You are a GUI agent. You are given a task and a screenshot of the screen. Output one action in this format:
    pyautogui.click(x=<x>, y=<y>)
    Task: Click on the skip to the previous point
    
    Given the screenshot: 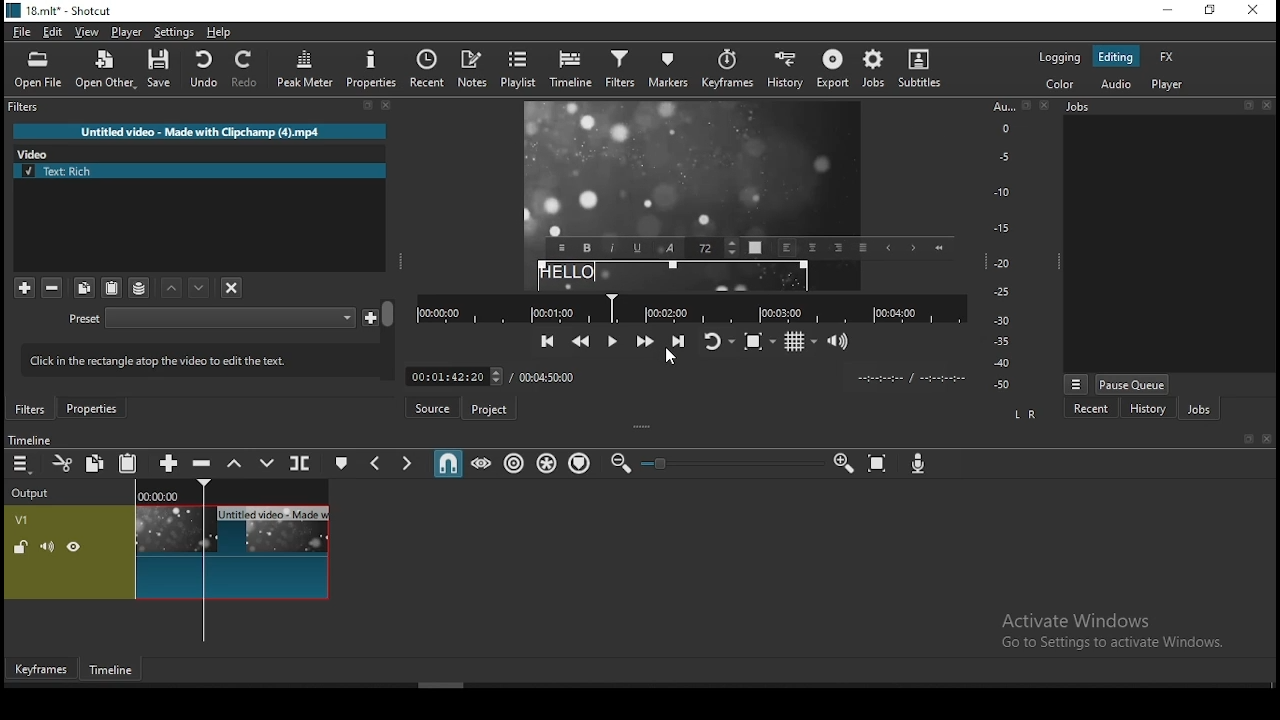 What is the action you would take?
    pyautogui.click(x=548, y=341)
    